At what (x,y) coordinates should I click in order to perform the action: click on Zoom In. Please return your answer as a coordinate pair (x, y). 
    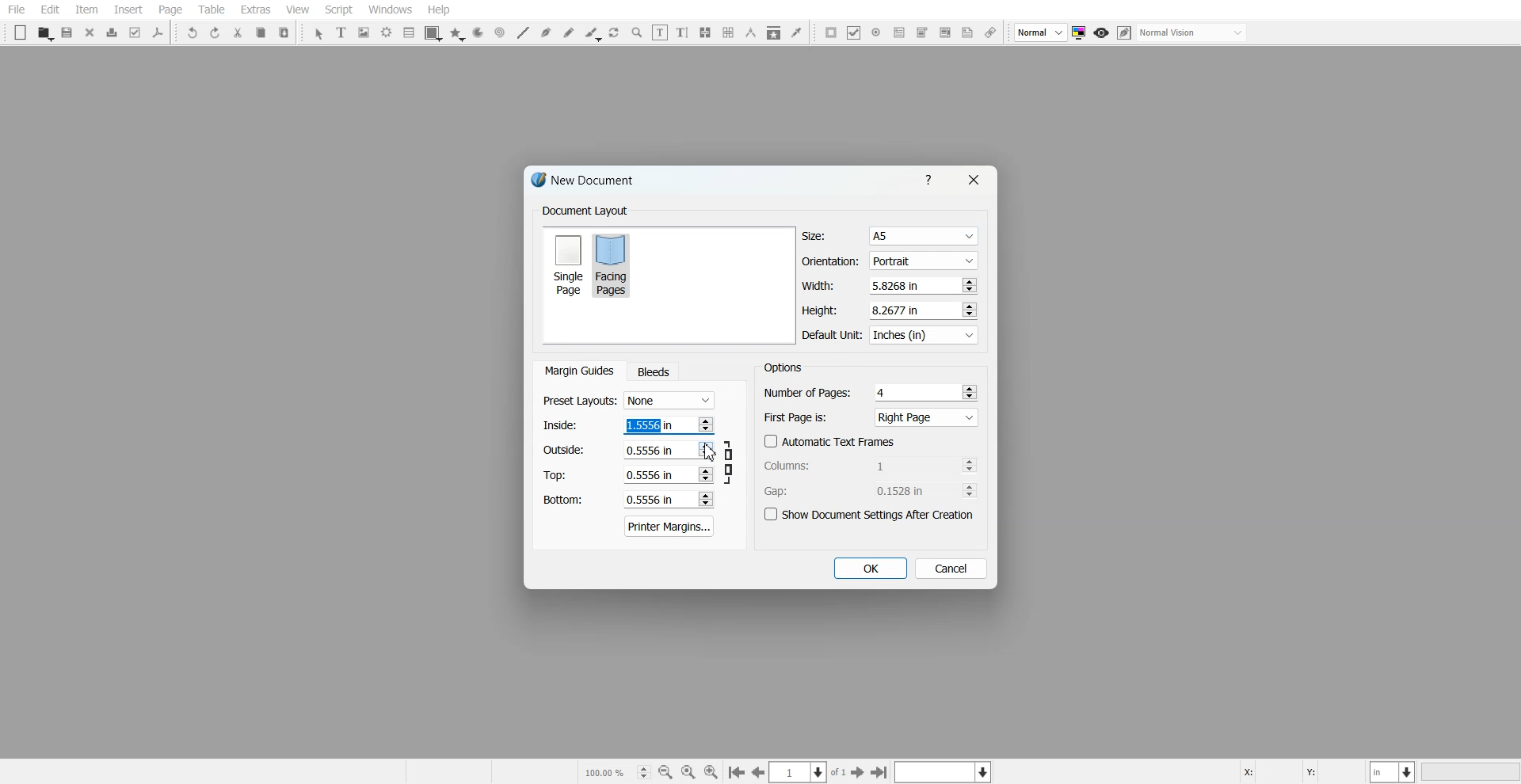
    Looking at the image, I should click on (711, 771).